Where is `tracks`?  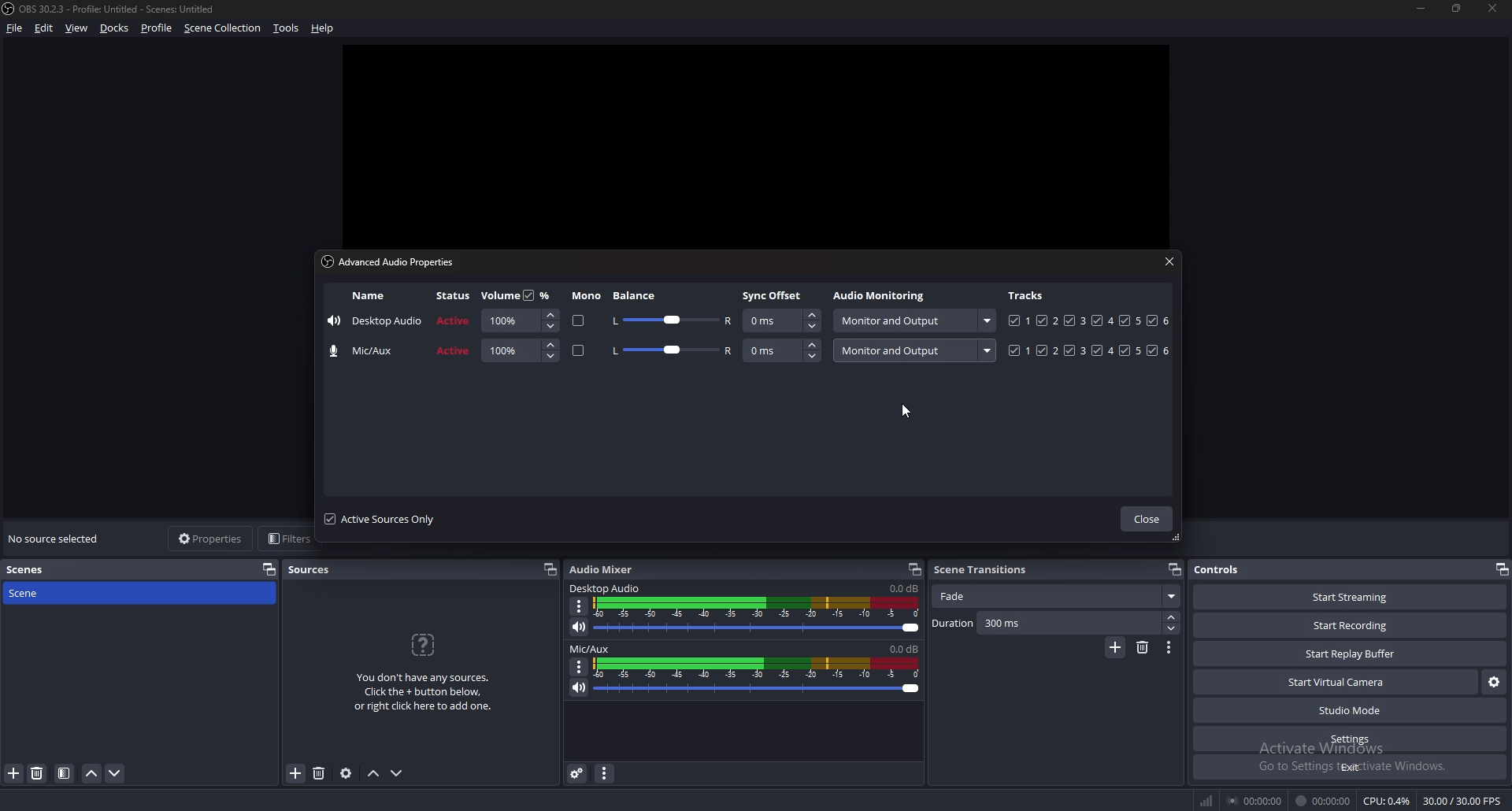 tracks is located at coordinates (1087, 350).